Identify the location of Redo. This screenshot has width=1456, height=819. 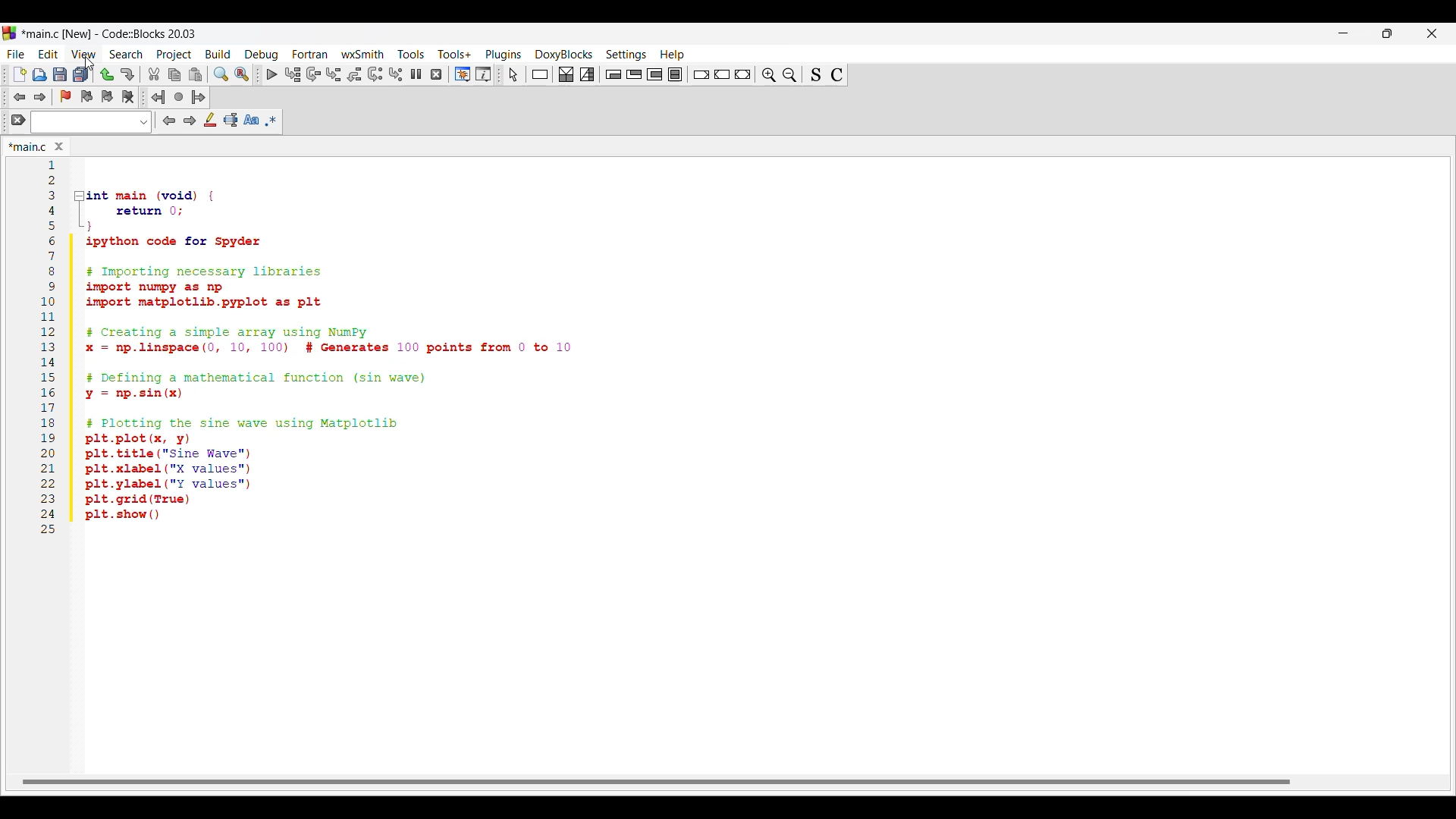
(127, 74).